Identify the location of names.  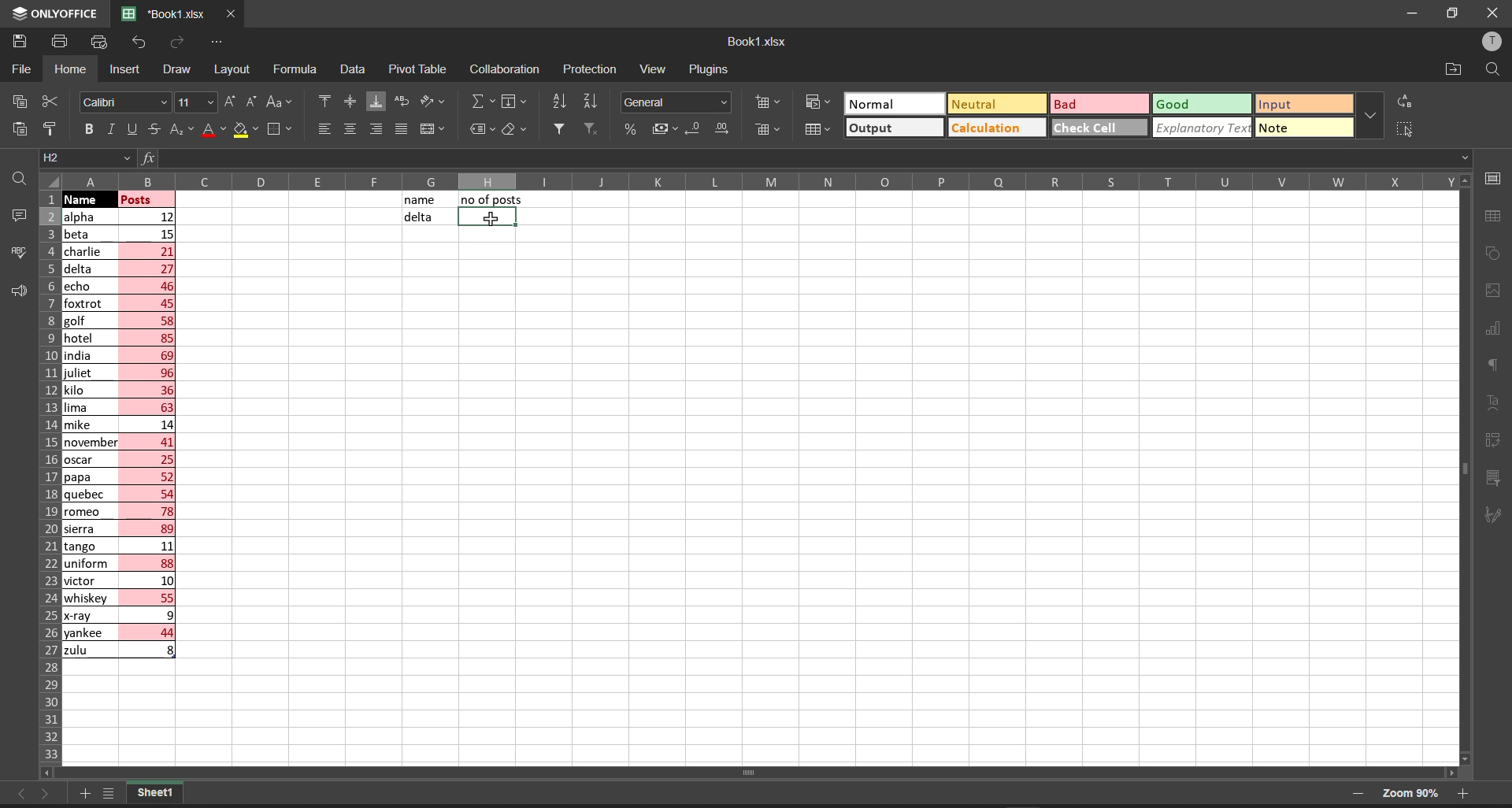
(87, 433).